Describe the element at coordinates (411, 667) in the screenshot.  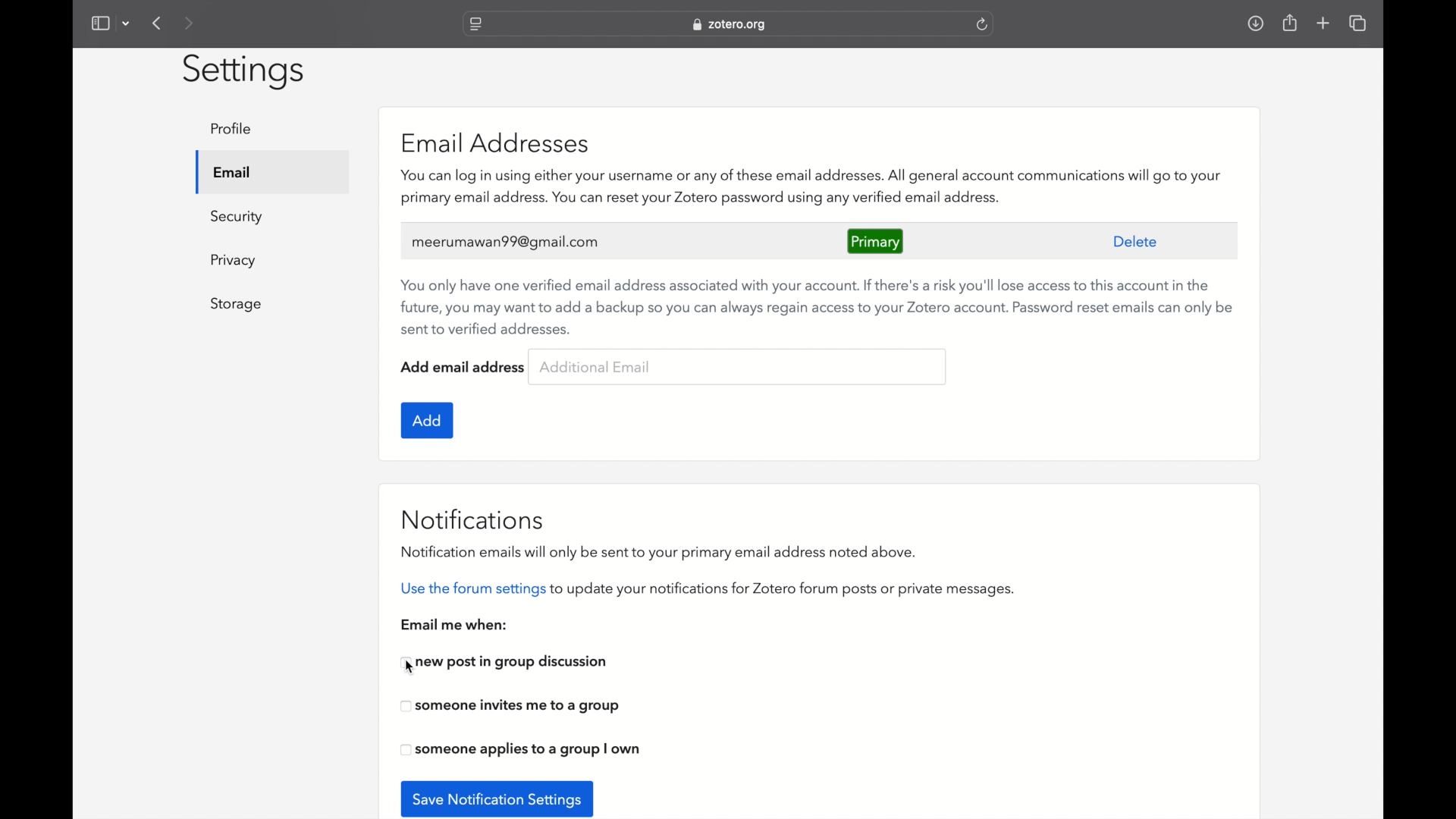
I see `cursor` at that location.